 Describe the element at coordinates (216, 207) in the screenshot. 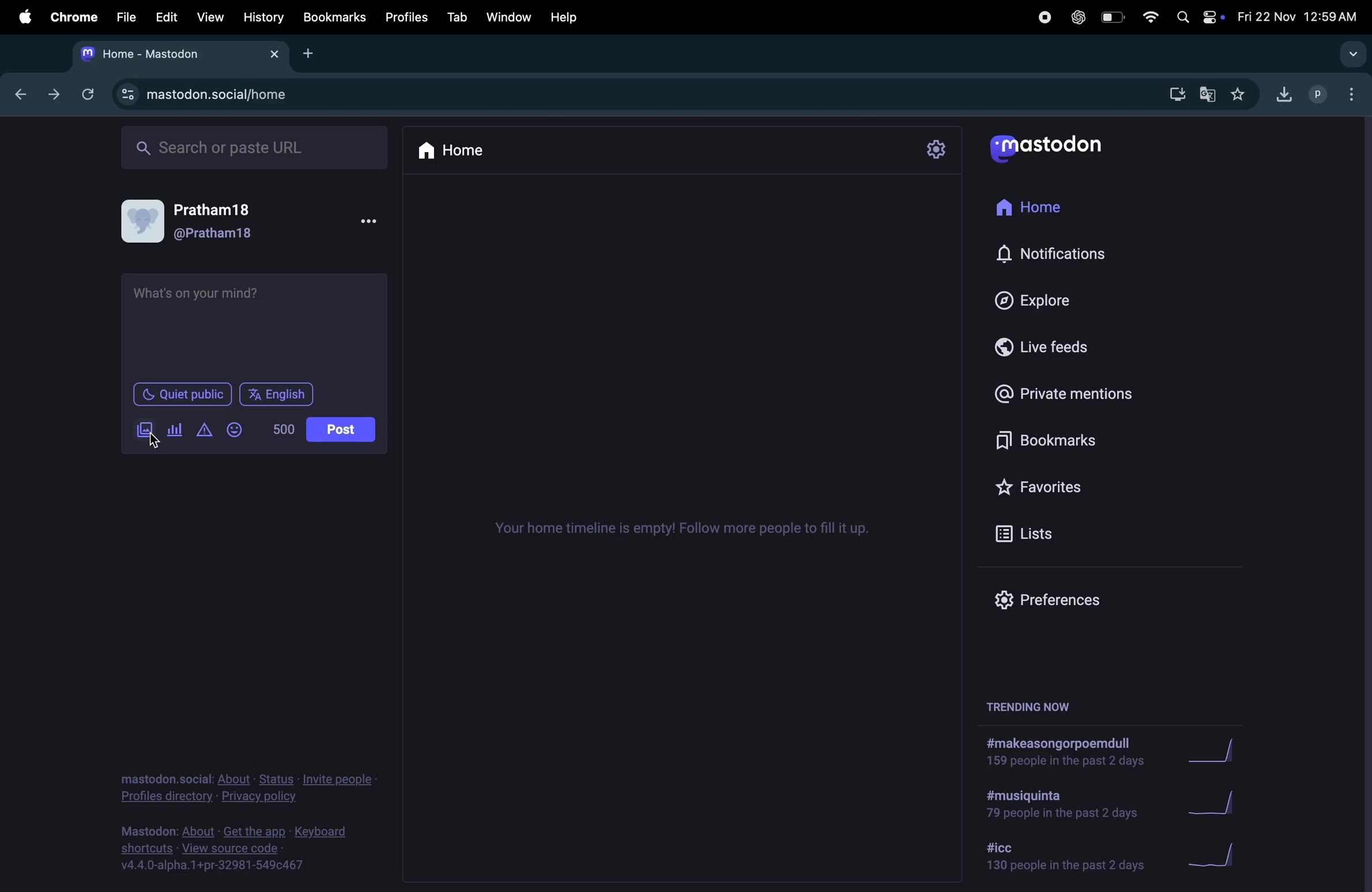

I see `Pratham18` at that location.